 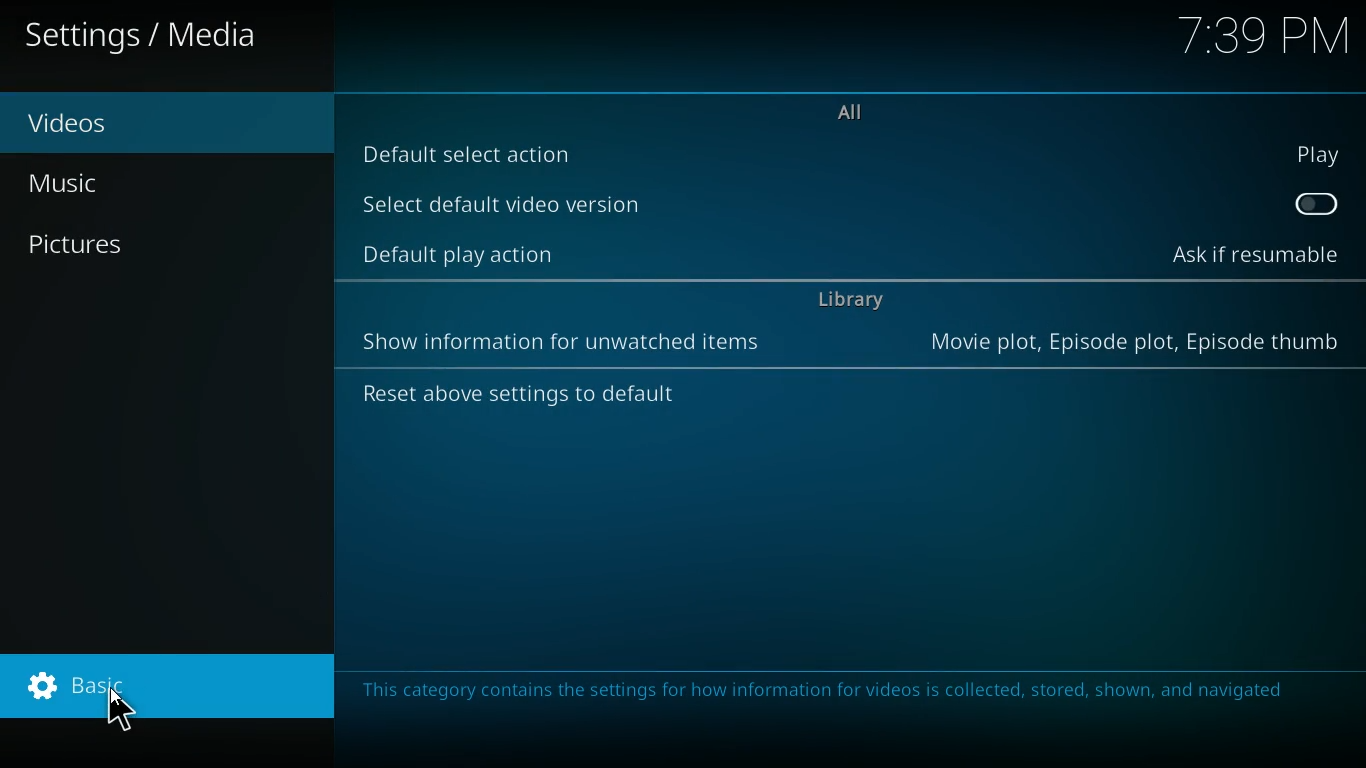 I want to click on videos, so click(x=150, y=122).